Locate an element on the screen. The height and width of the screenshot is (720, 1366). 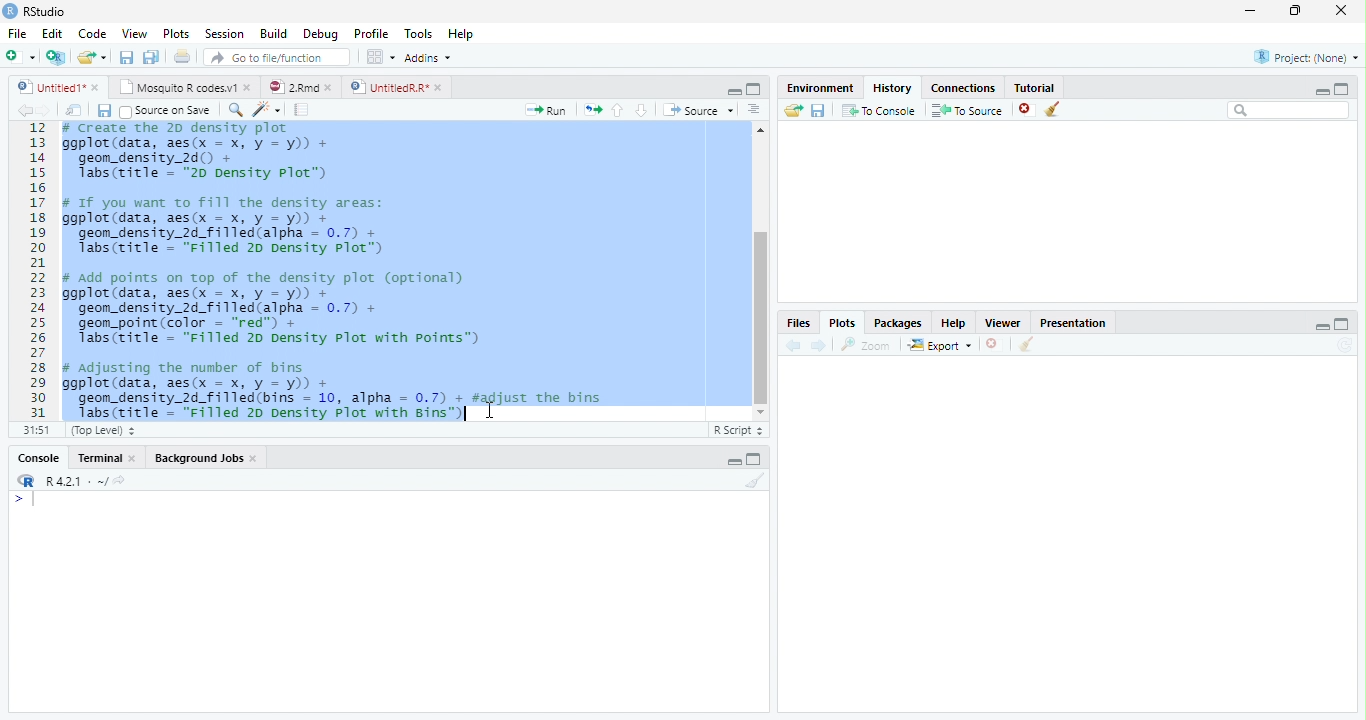
View is located at coordinates (134, 34).